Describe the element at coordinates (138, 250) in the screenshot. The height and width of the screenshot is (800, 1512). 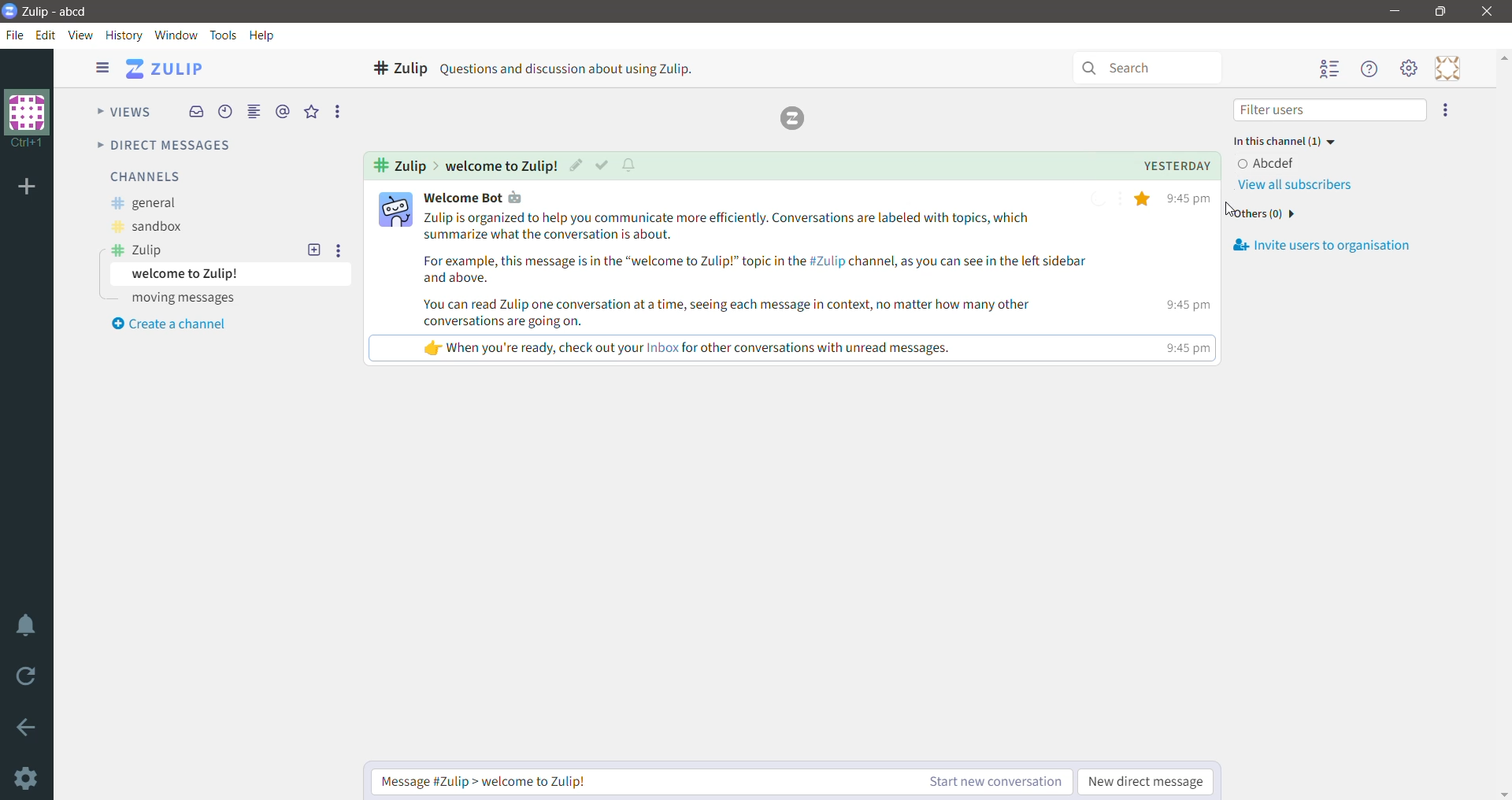
I see `Zulip` at that location.